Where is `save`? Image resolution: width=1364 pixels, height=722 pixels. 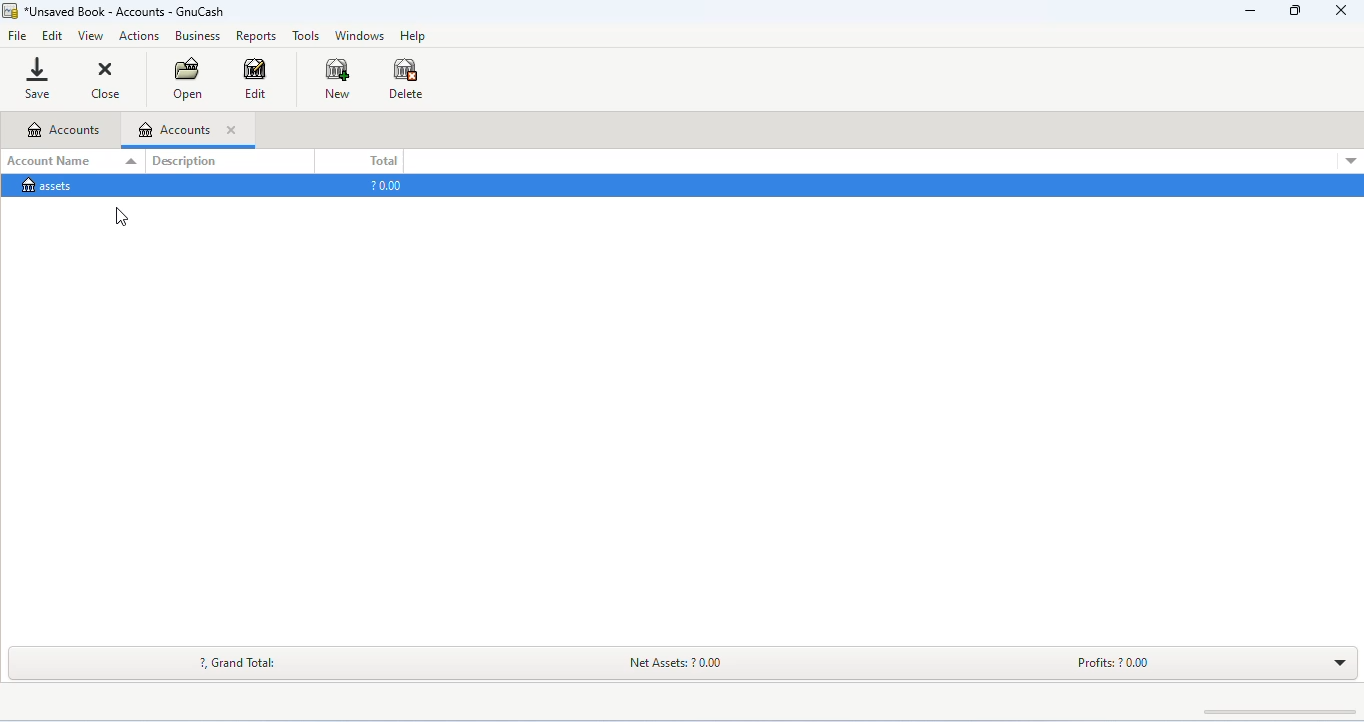
save is located at coordinates (41, 78).